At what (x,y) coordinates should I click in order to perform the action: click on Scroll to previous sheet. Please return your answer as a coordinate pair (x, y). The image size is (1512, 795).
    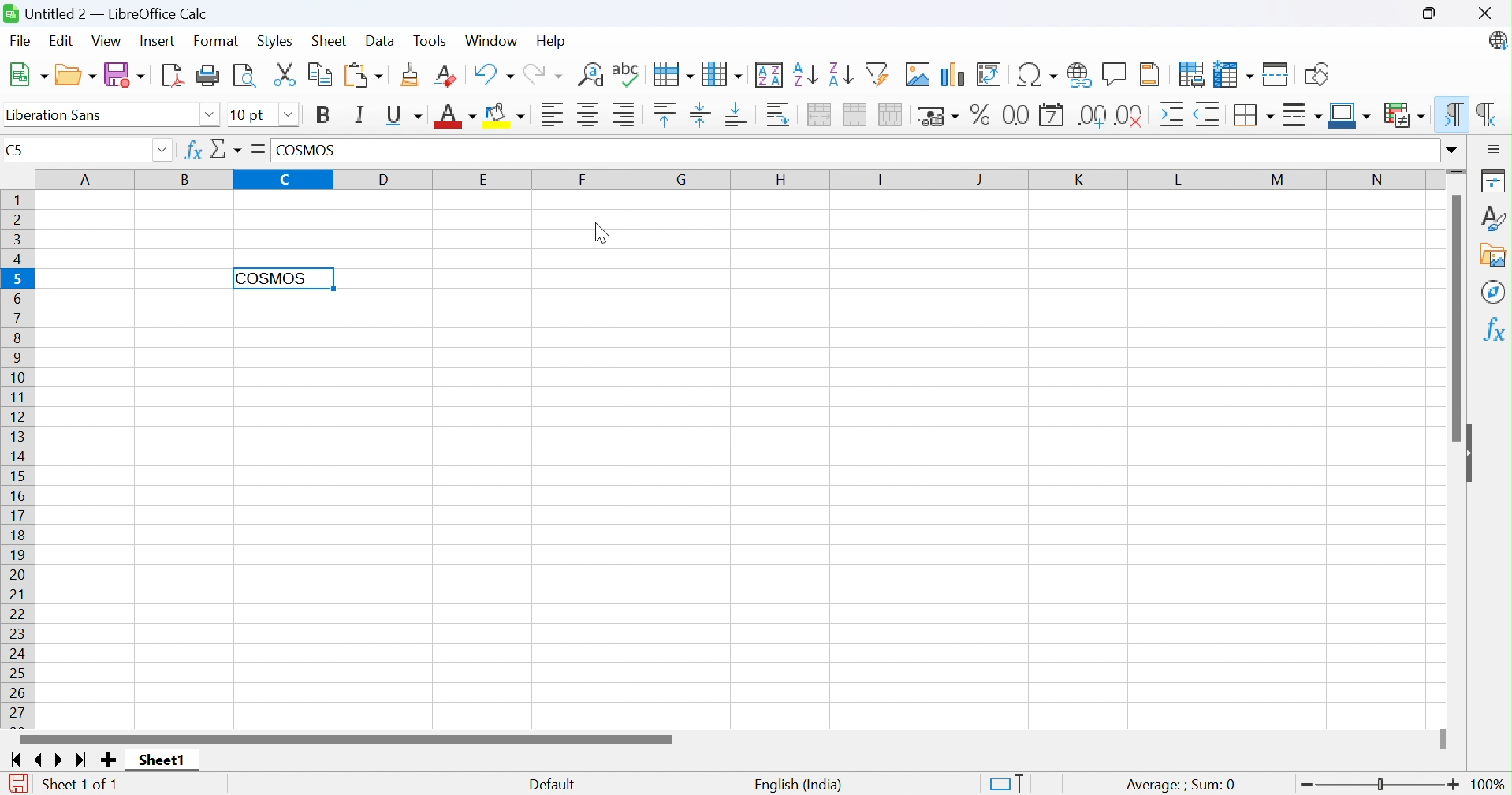
    Looking at the image, I should click on (44, 761).